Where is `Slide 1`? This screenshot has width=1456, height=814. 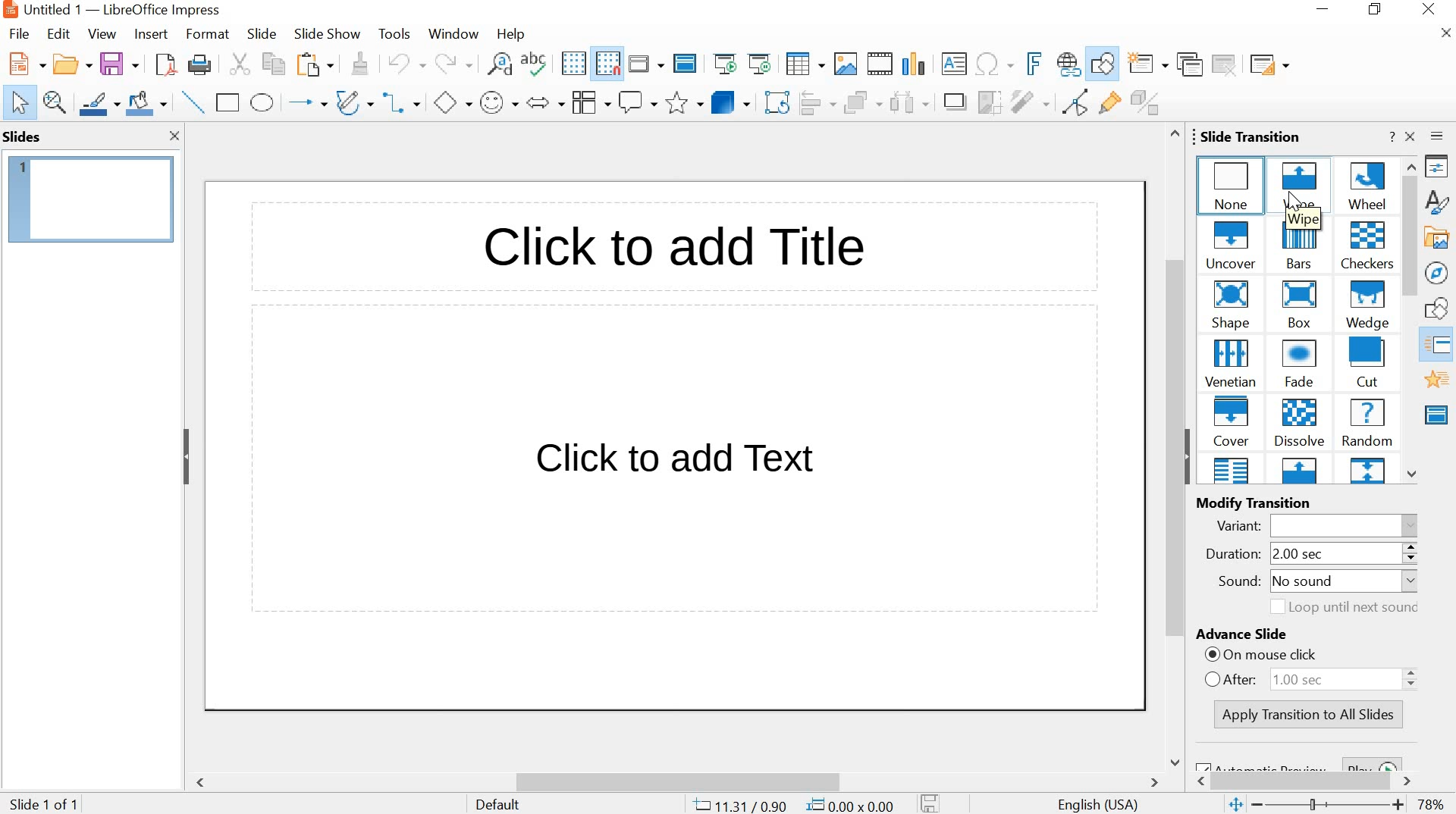
Slide 1 is located at coordinates (92, 196).